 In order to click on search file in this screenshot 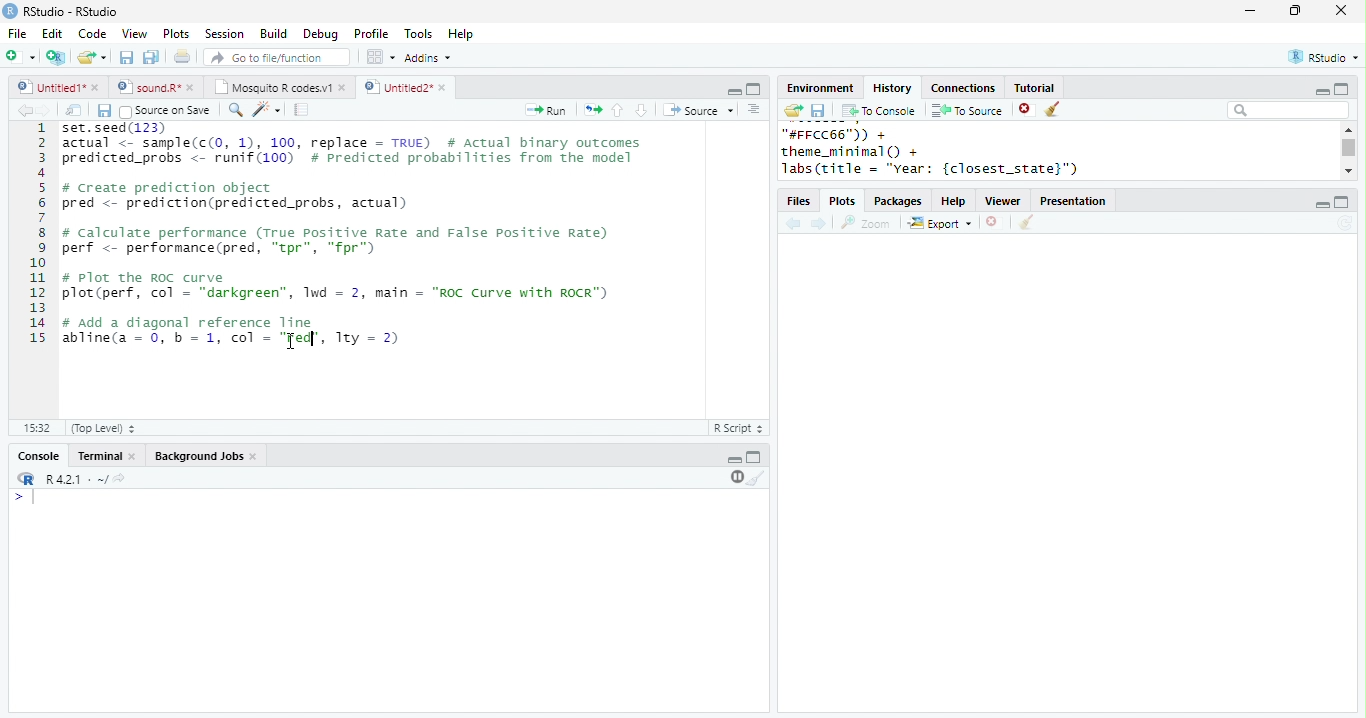, I will do `click(278, 57)`.